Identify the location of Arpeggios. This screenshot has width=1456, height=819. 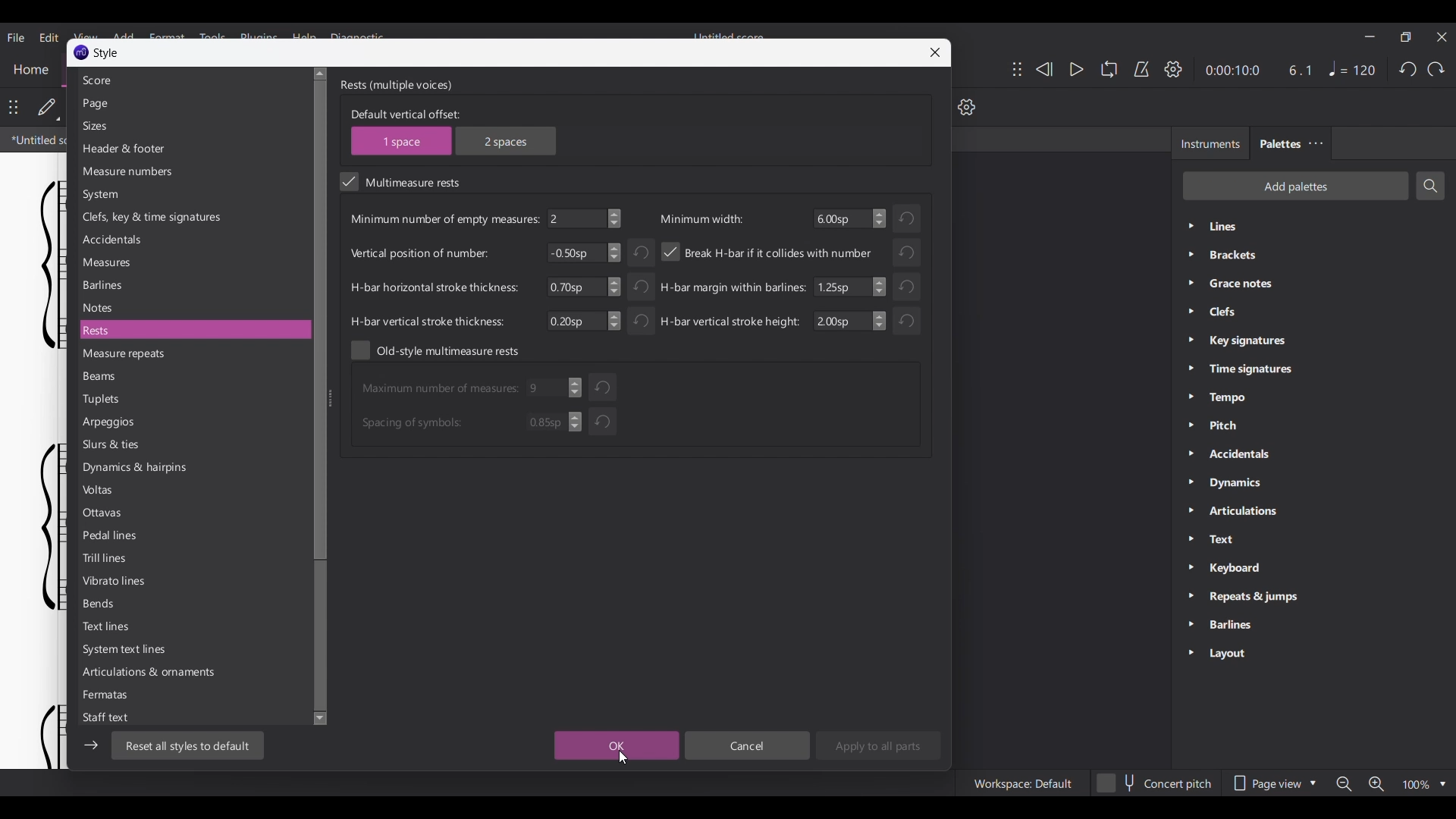
(192, 422).